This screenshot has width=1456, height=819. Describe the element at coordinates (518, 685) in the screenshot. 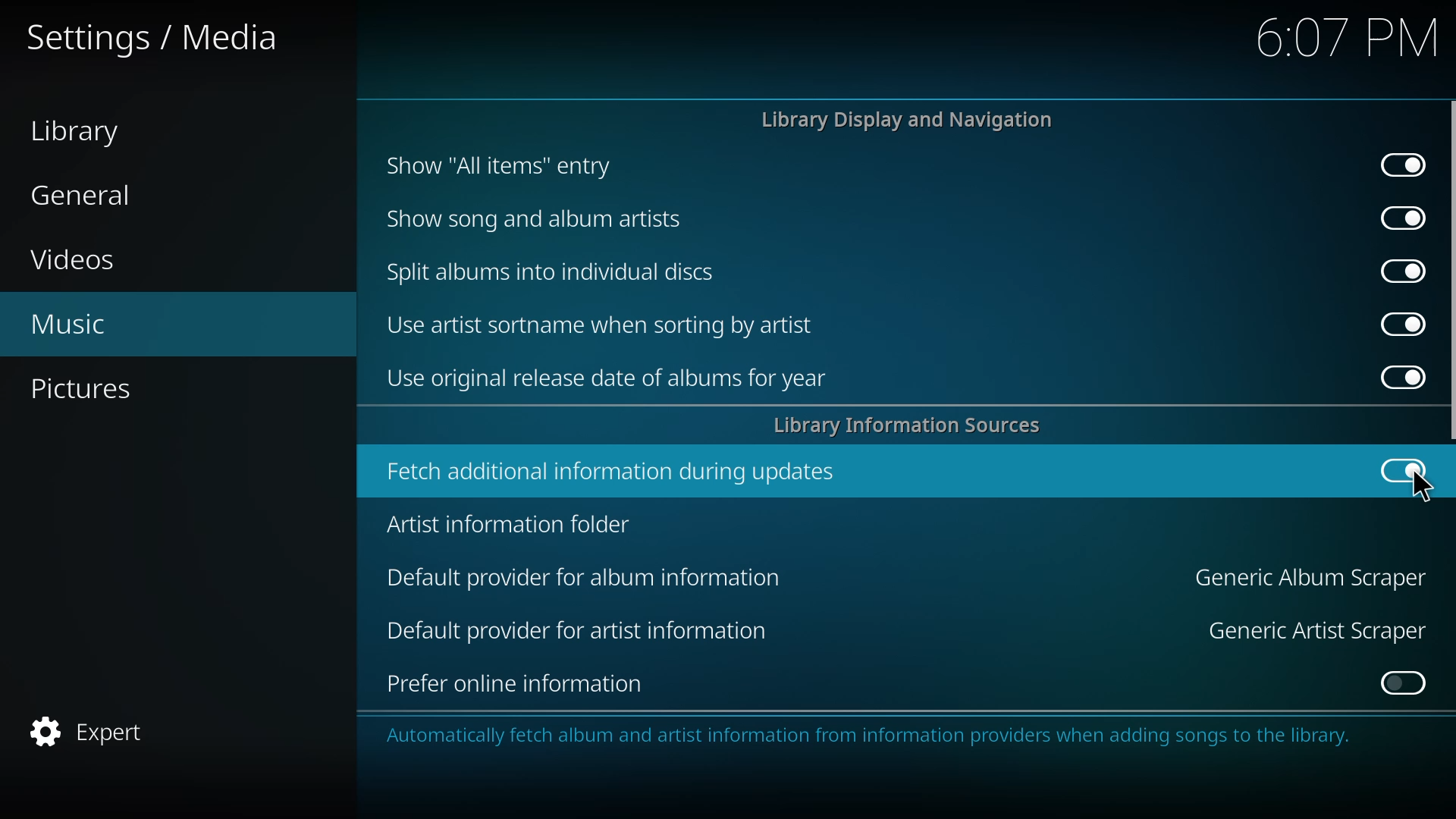

I see `Prefer online information` at that location.